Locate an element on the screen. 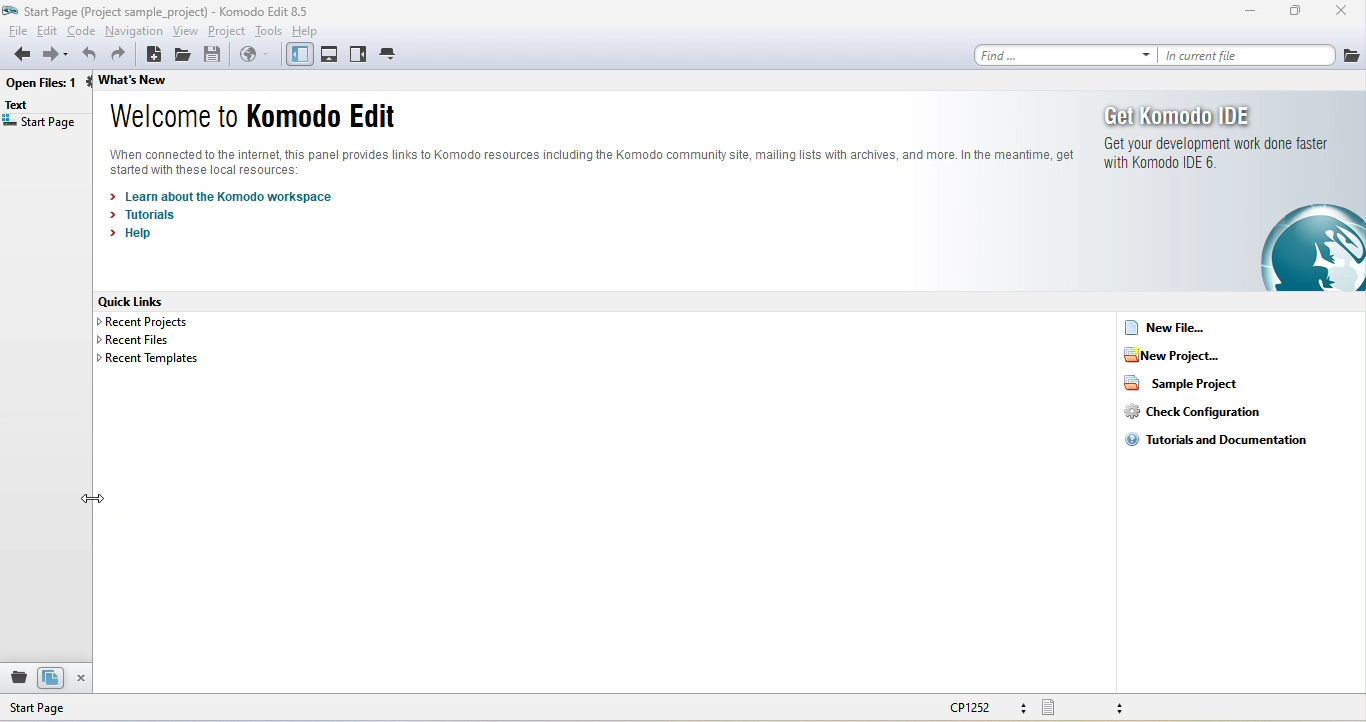  recent projects is located at coordinates (151, 321).